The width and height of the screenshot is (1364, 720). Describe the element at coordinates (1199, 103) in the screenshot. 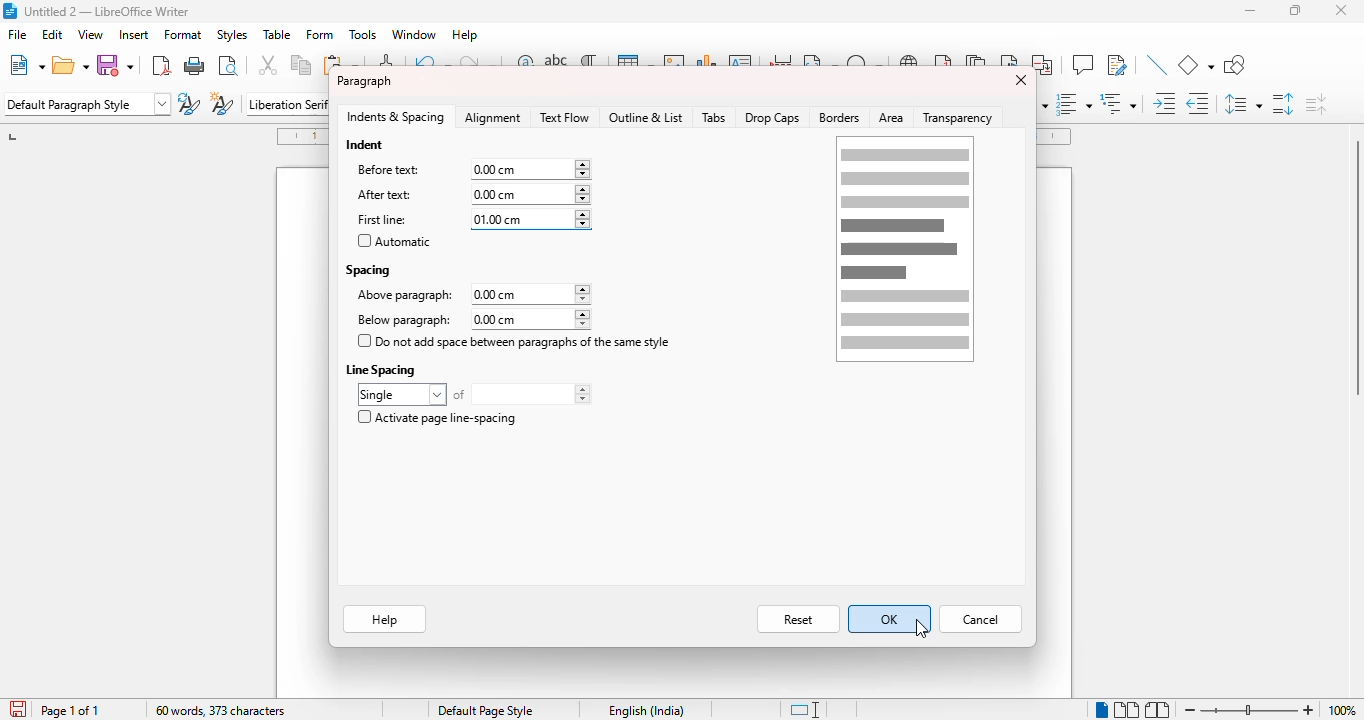

I see `decrease indent` at that location.